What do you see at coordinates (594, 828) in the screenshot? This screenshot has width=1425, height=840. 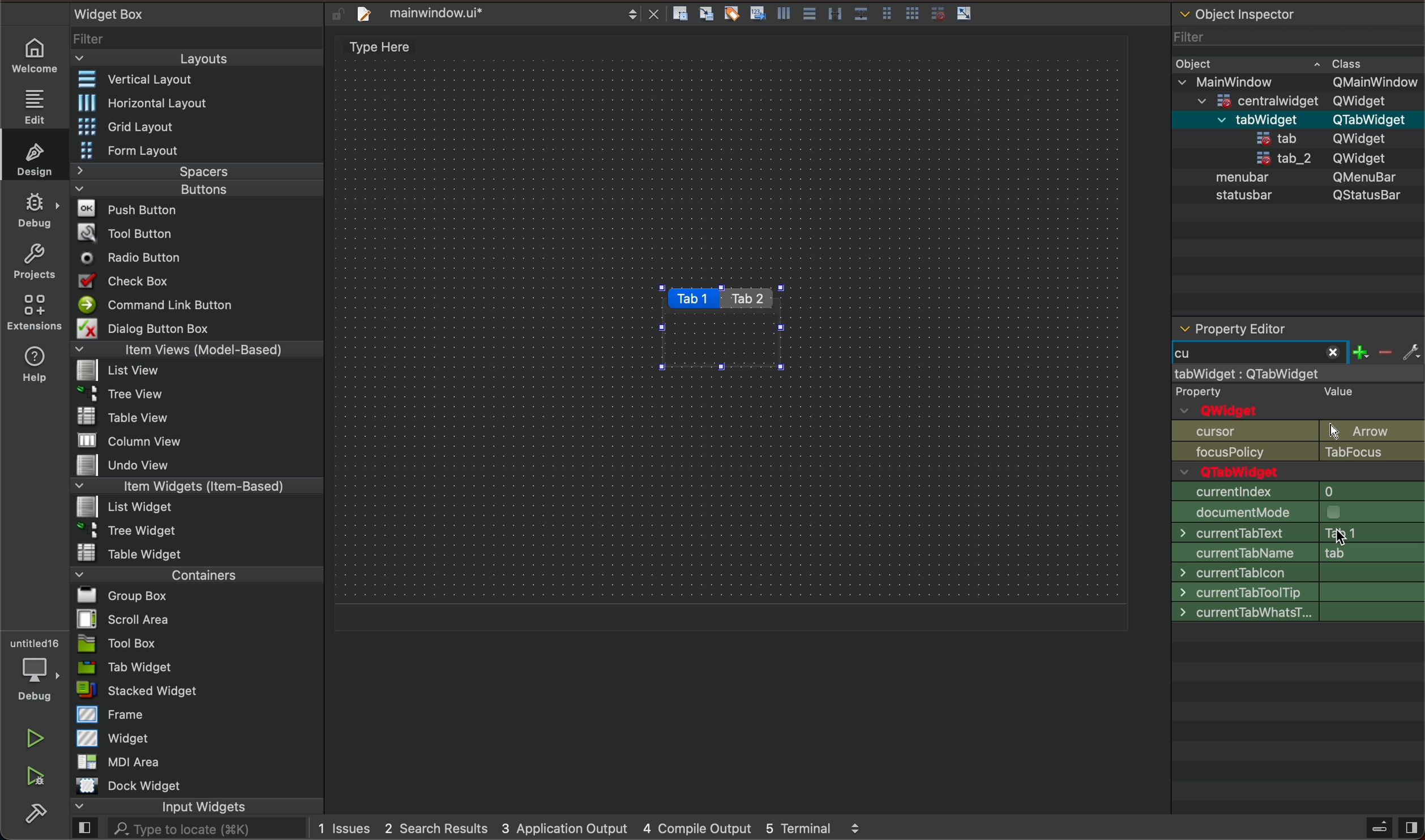 I see `logs` at bounding box center [594, 828].